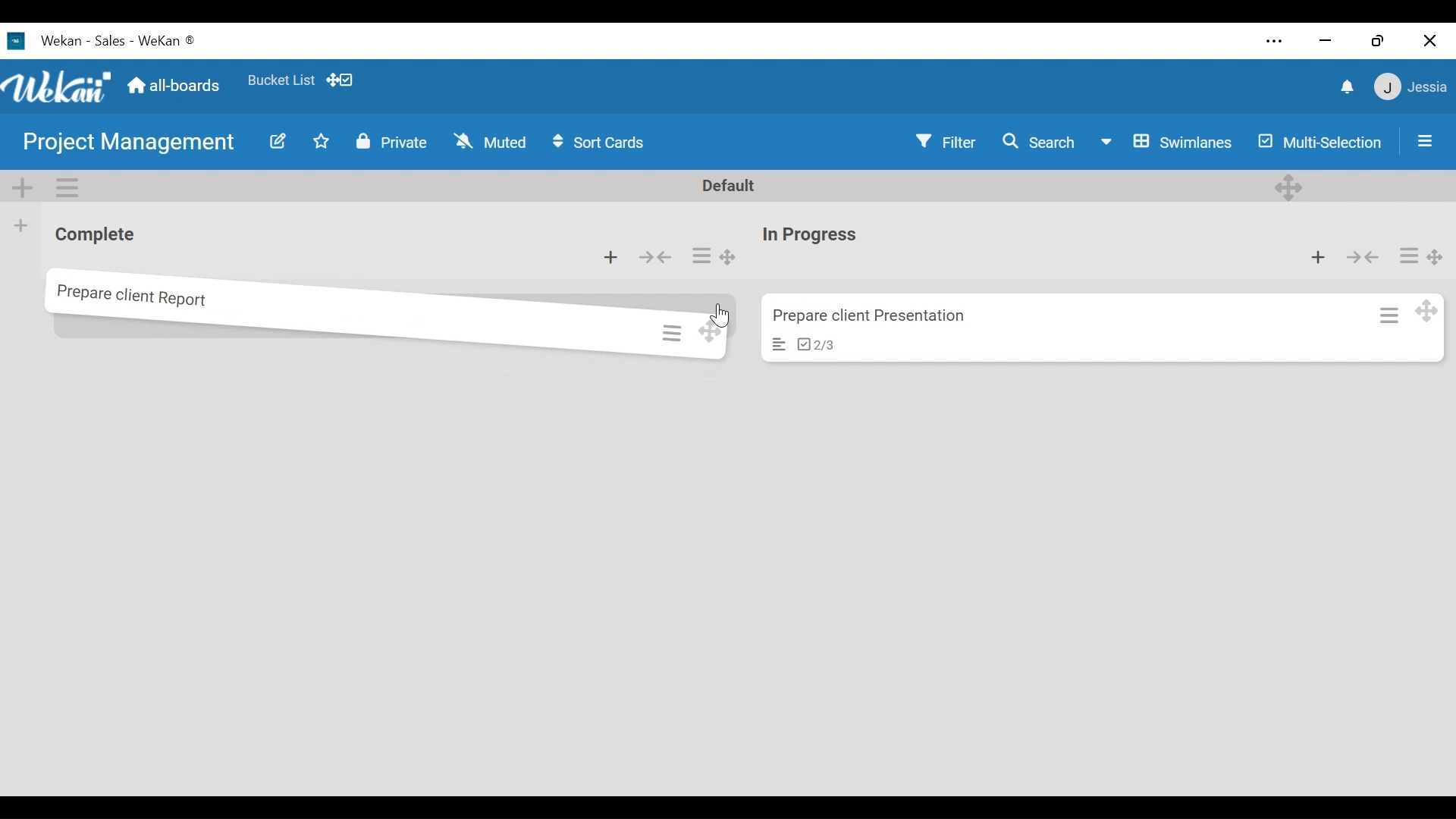 The height and width of the screenshot is (819, 1456). Describe the element at coordinates (947, 143) in the screenshot. I see `Filter ` at that location.